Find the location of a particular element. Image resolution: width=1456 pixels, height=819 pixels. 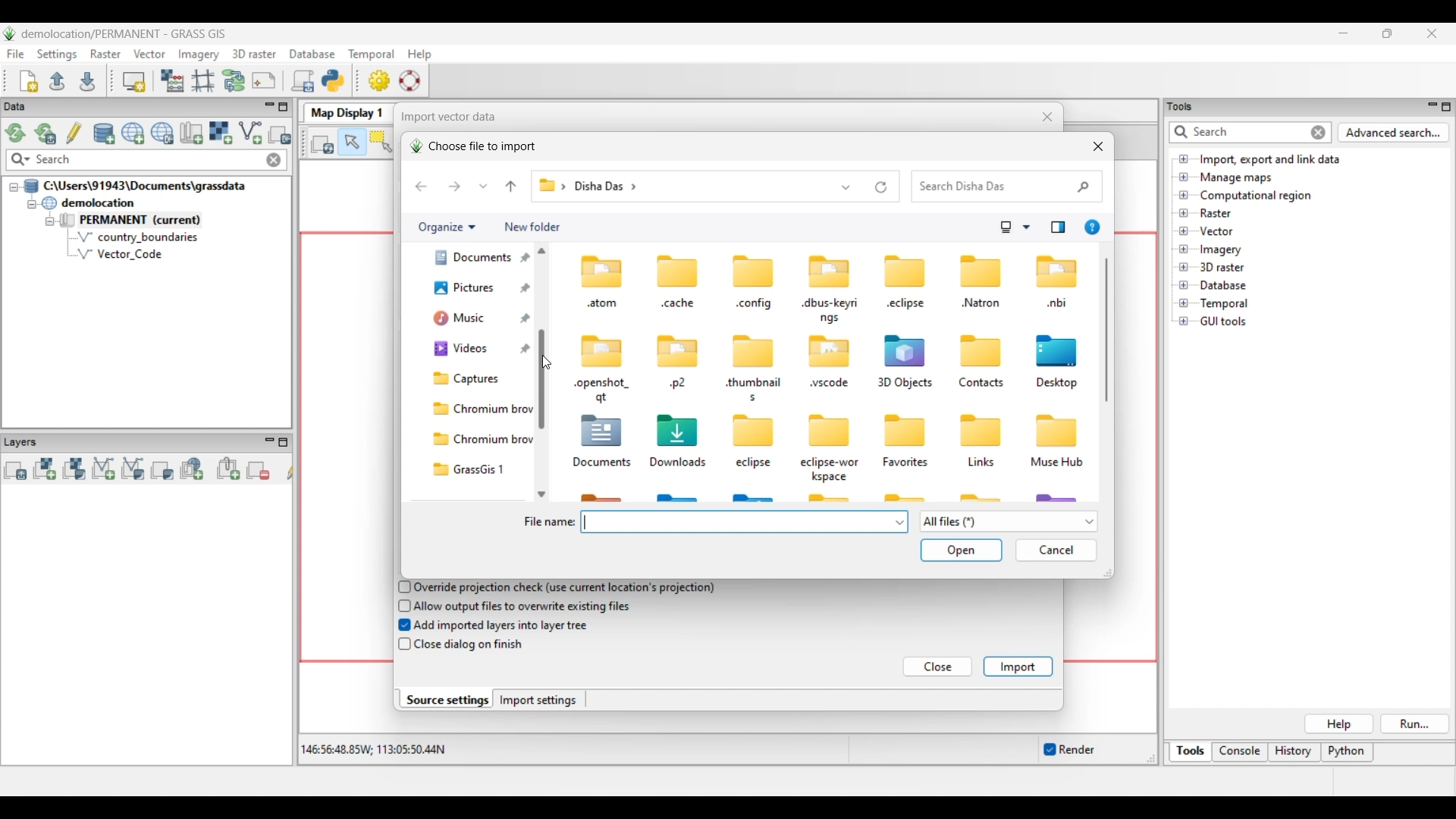

Click to open files under Import, export and link data is located at coordinates (1184, 158).